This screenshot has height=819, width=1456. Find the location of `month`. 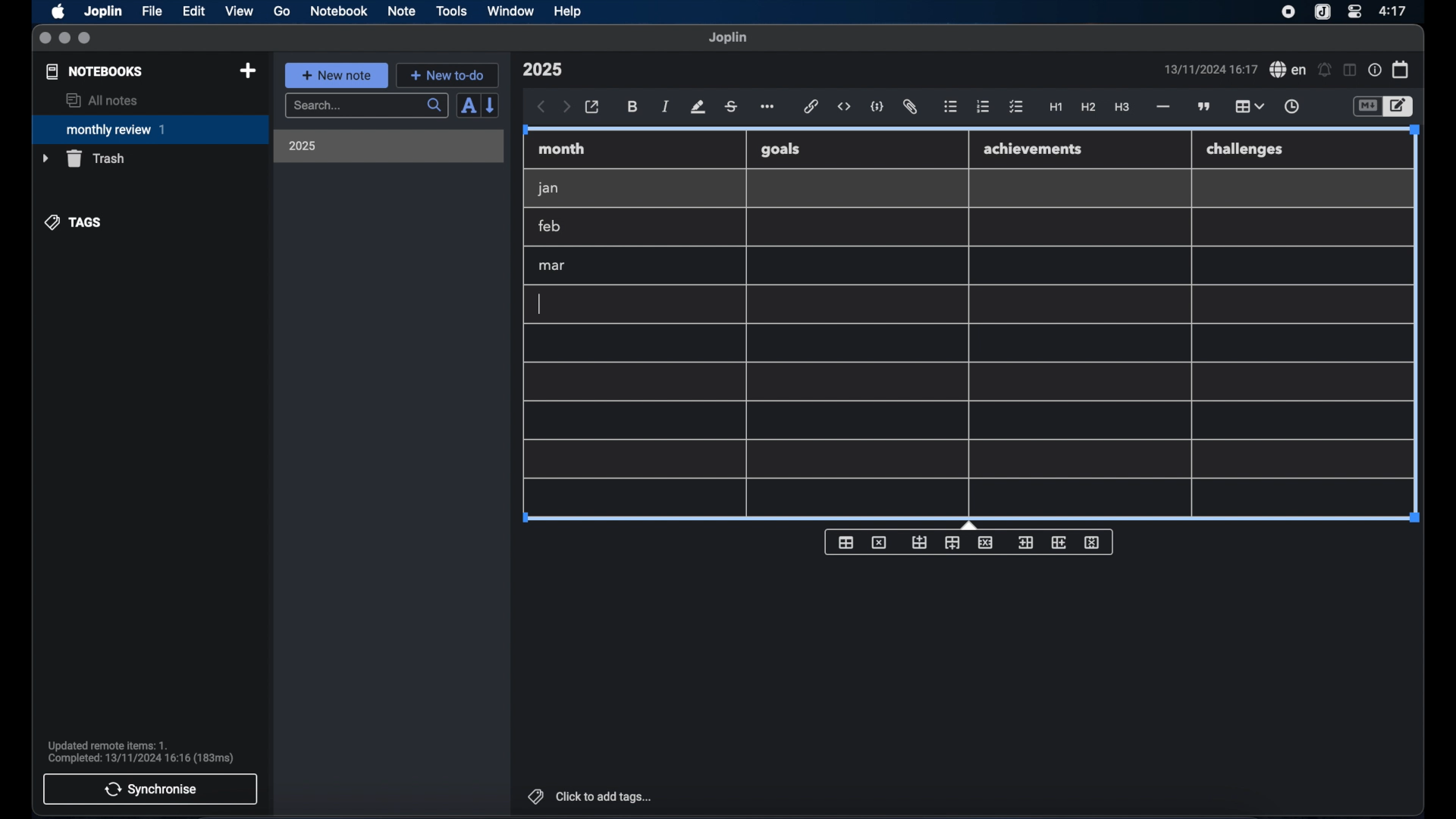

month is located at coordinates (562, 149).